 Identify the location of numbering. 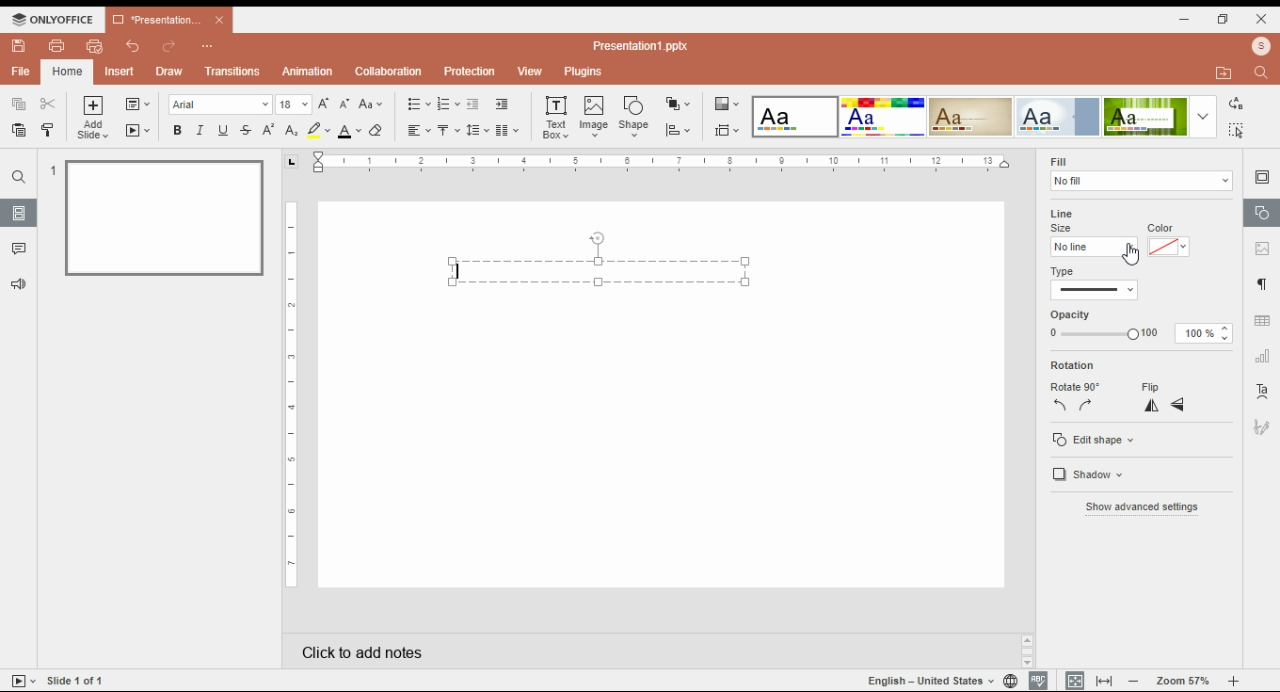
(448, 104).